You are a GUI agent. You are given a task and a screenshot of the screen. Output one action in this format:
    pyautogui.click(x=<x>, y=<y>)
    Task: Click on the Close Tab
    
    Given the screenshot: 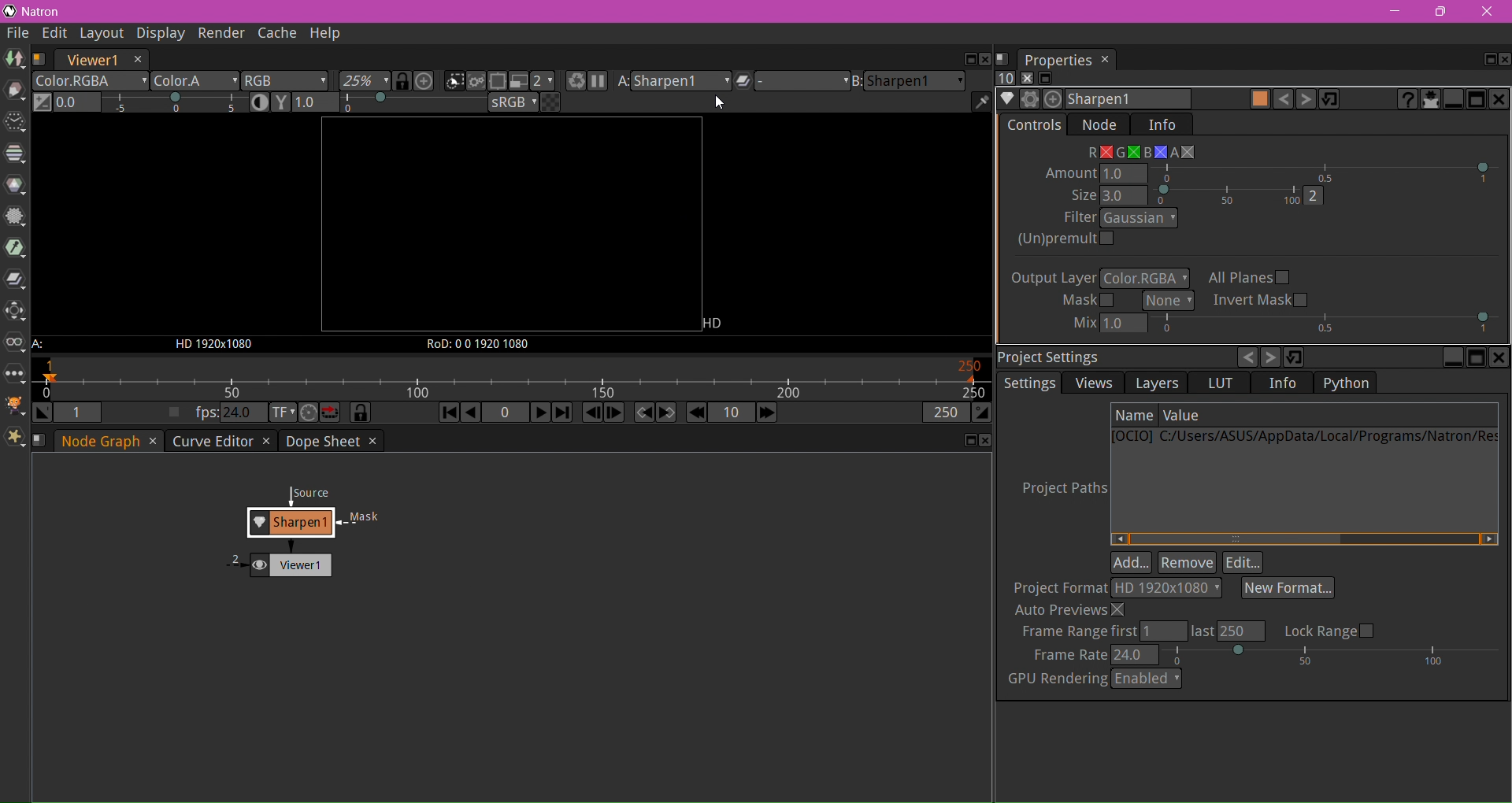 What is the action you would take?
    pyautogui.click(x=371, y=441)
    